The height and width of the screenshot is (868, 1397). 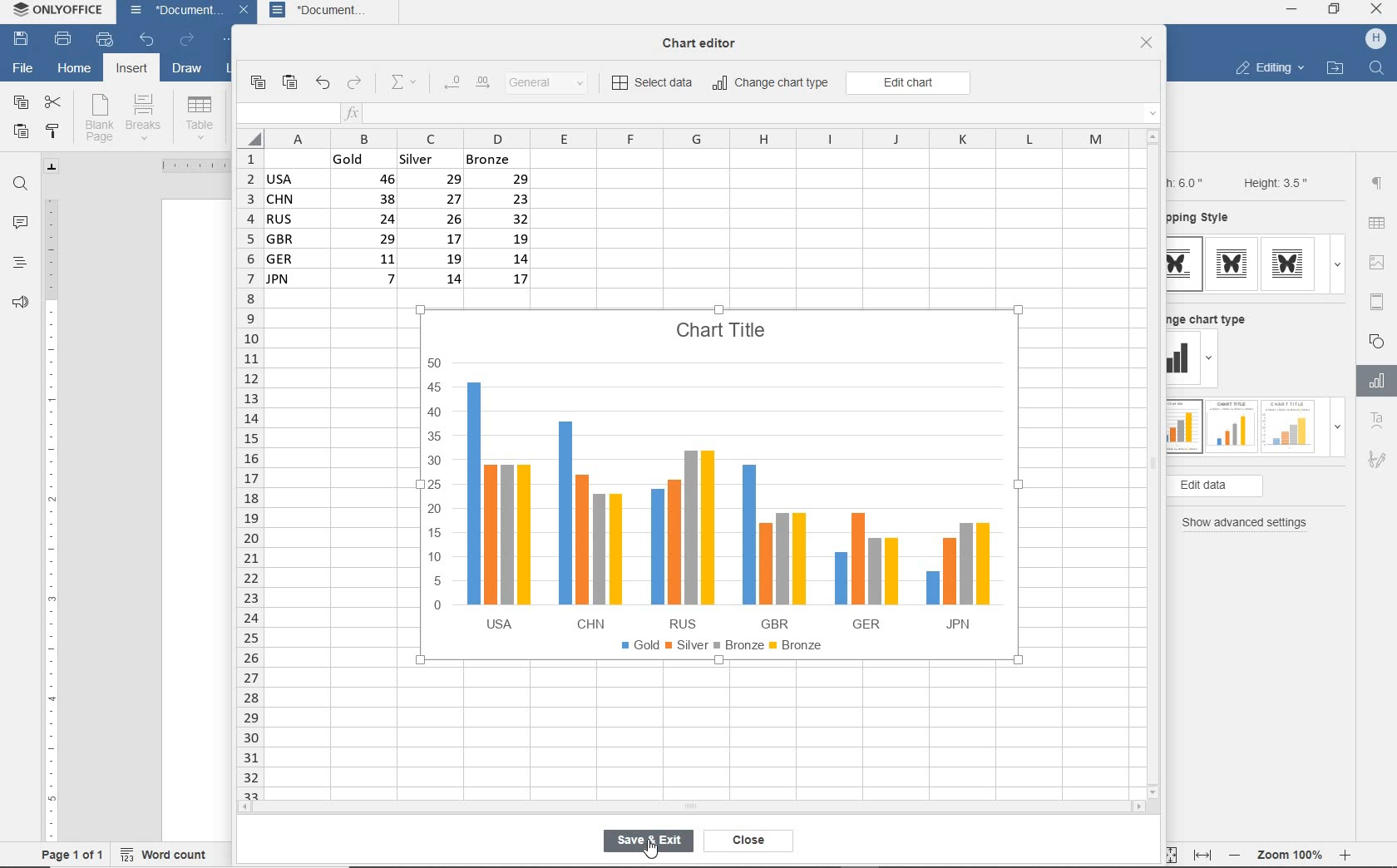 I want to click on select data, so click(x=654, y=84).